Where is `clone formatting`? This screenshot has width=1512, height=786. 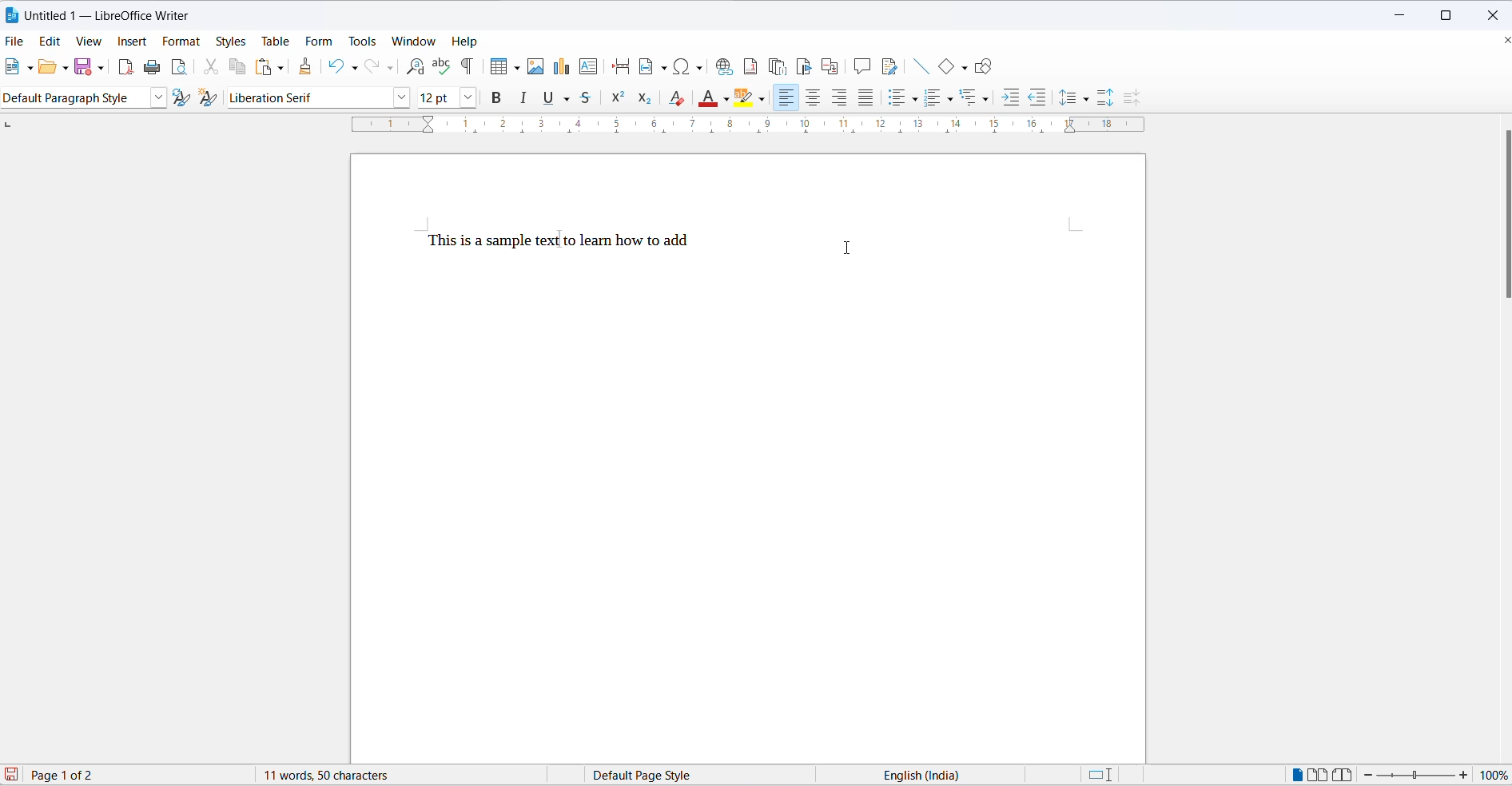 clone formatting is located at coordinates (307, 63).